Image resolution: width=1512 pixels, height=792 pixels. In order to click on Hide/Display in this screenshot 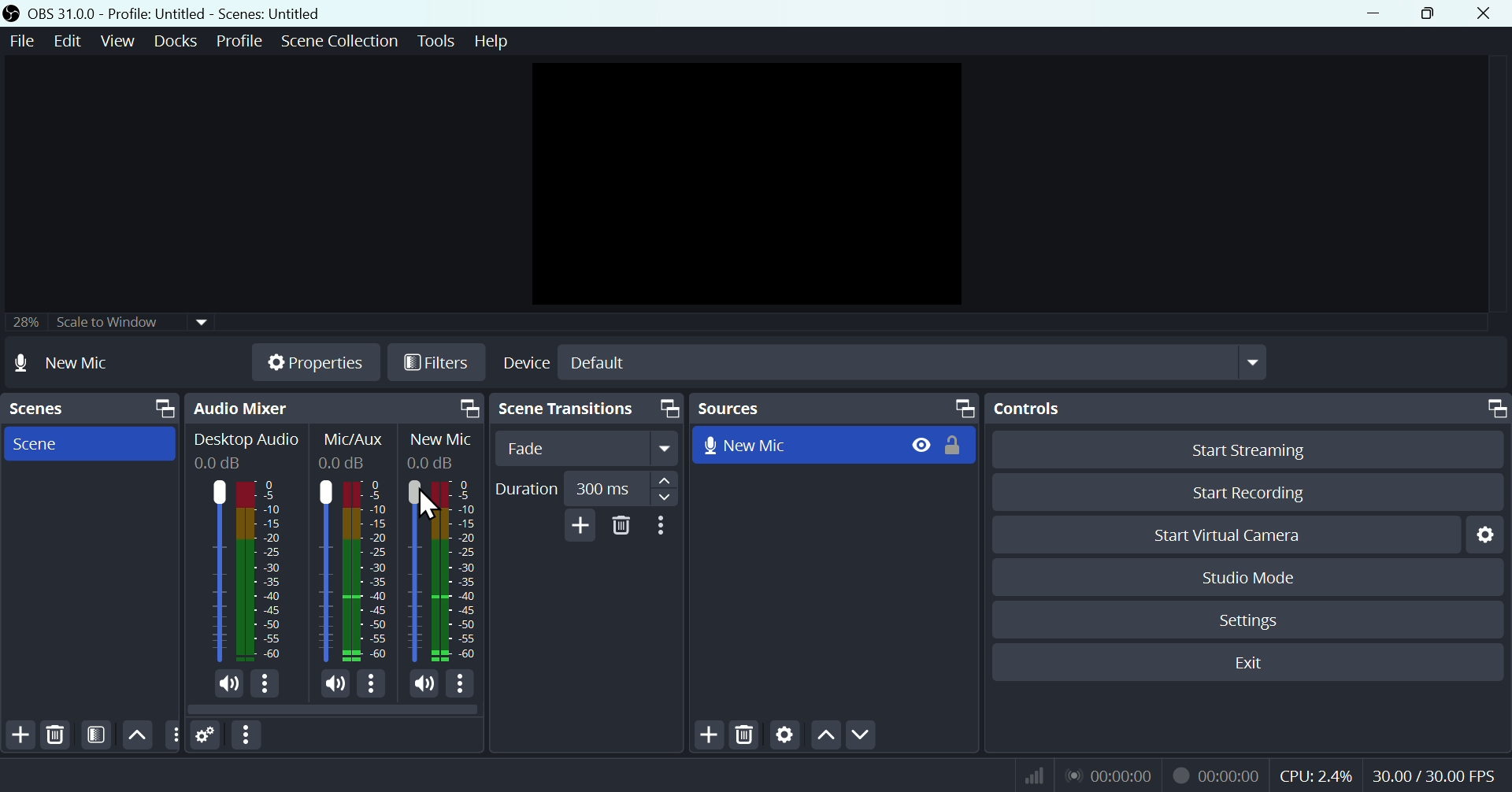, I will do `click(920, 444)`.